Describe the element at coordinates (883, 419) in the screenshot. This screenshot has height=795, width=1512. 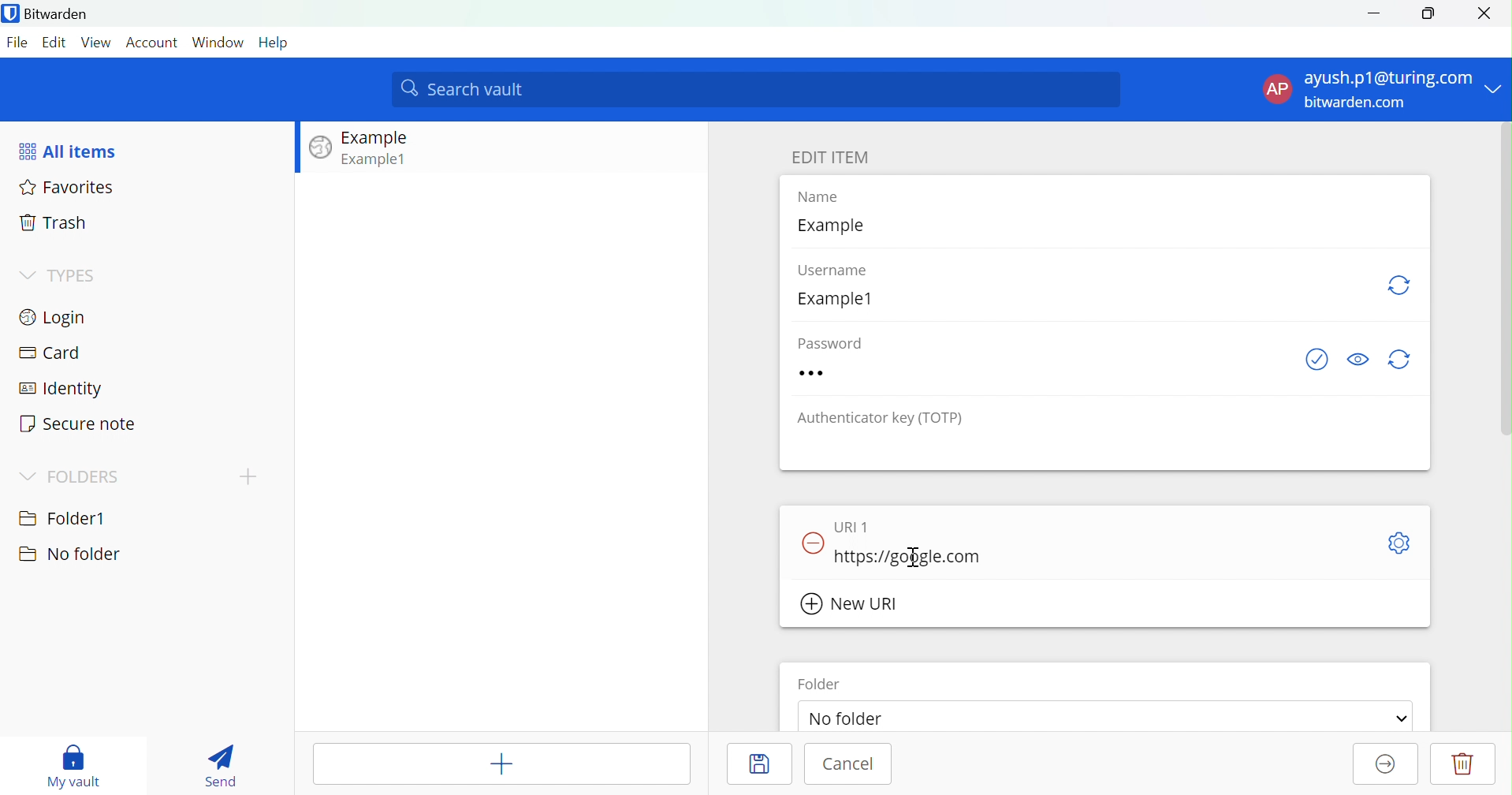
I see `Authenticator key (TOTP)` at that location.